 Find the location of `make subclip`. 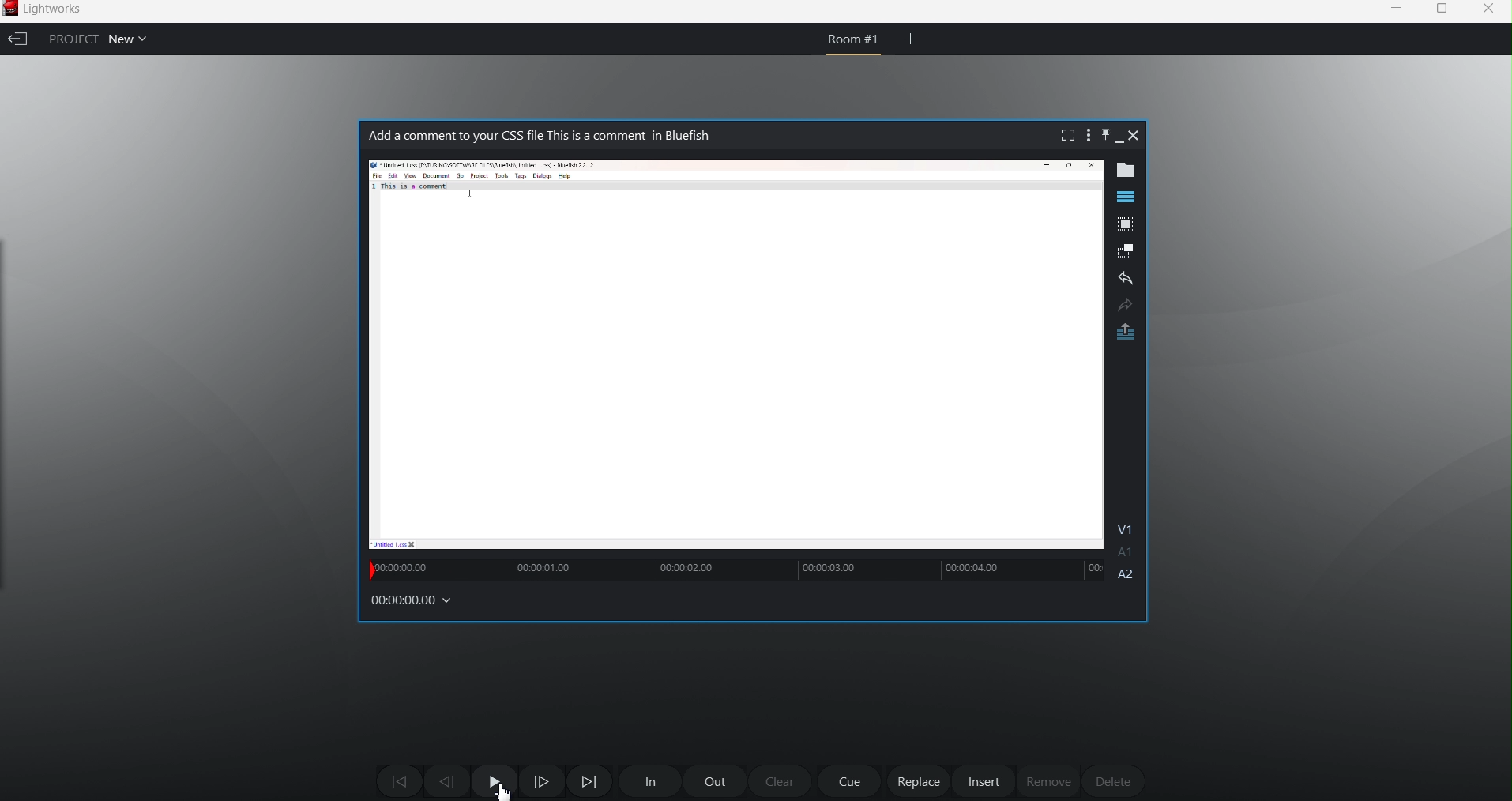

make subclip is located at coordinates (1126, 250).